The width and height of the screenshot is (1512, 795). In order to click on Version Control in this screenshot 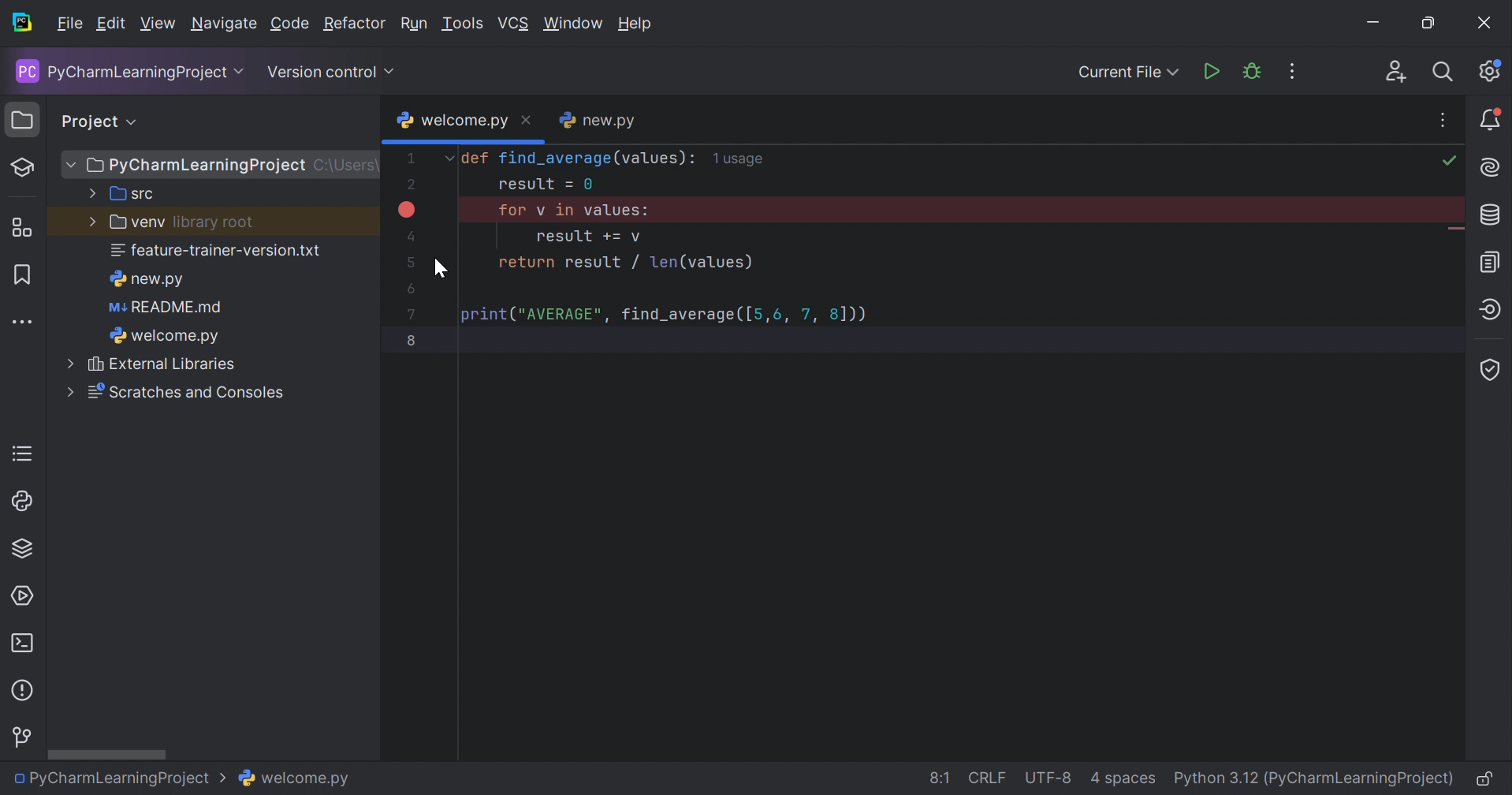, I will do `click(21, 737)`.